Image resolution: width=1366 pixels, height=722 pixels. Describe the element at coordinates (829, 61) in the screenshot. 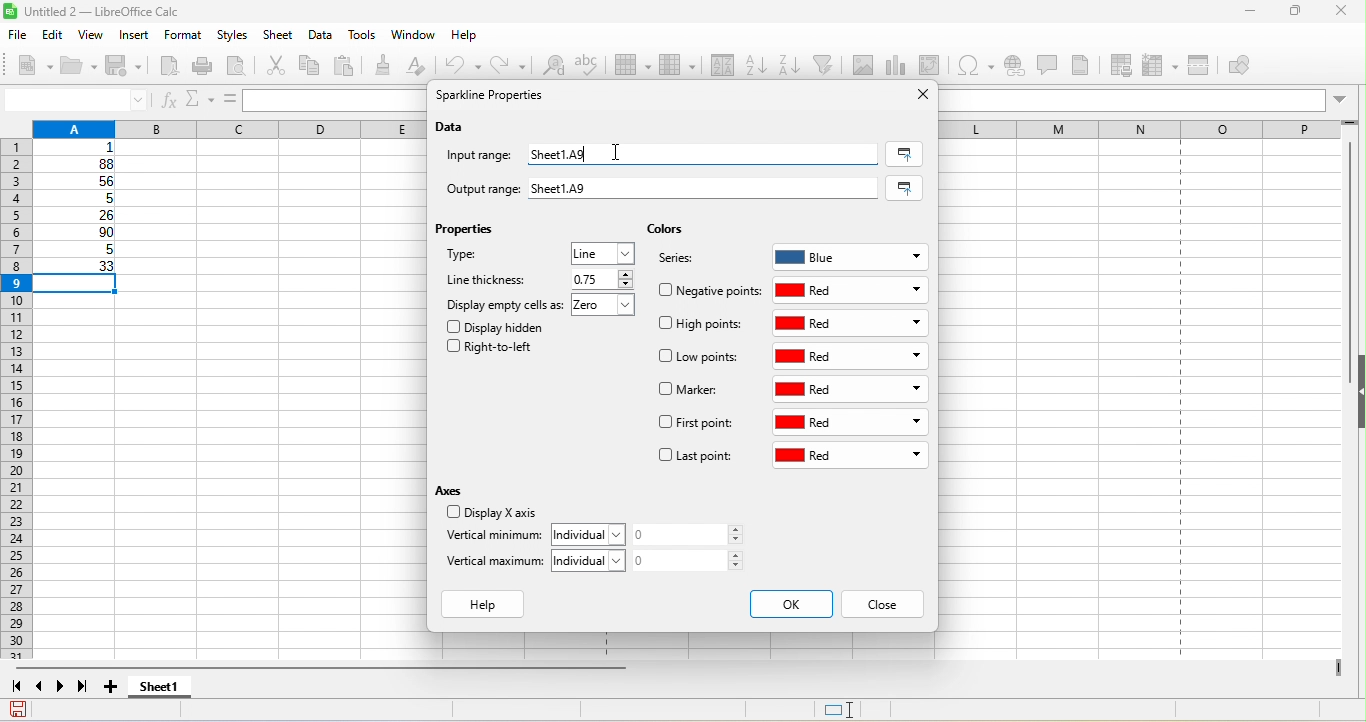

I see `auto filter` at that location.